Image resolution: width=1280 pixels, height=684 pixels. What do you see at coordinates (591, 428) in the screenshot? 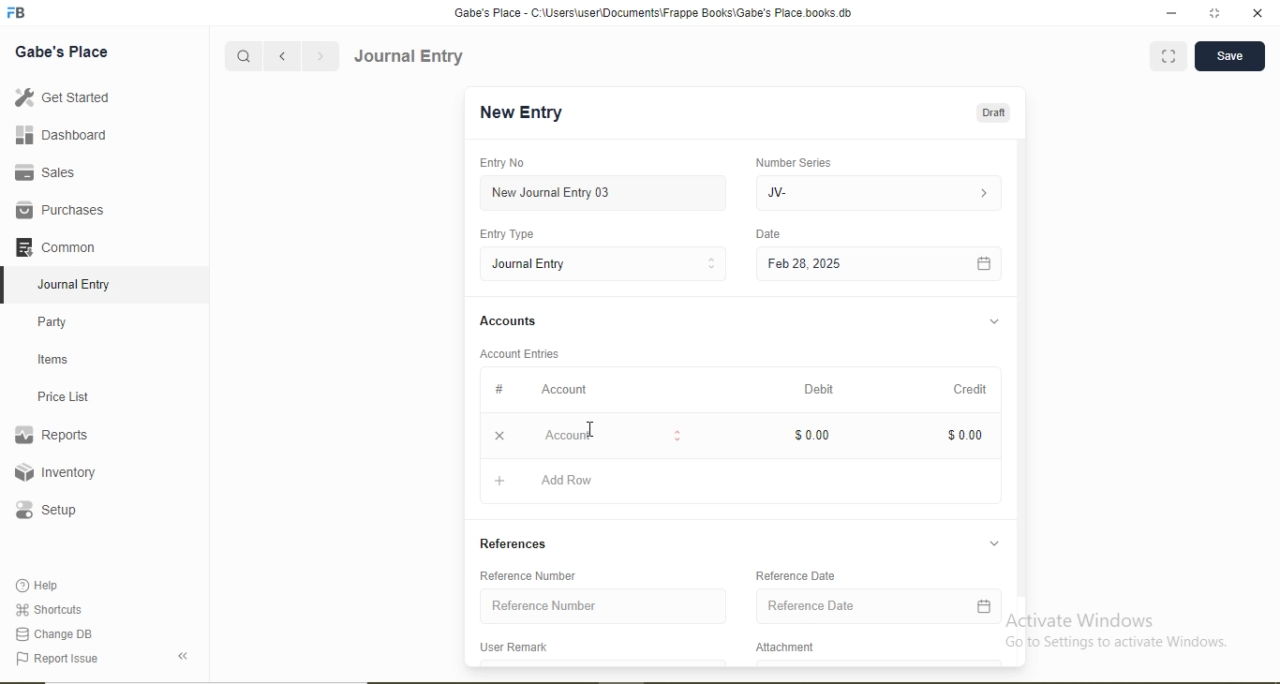
I see `Cursor` at bounding box center [591, 428].